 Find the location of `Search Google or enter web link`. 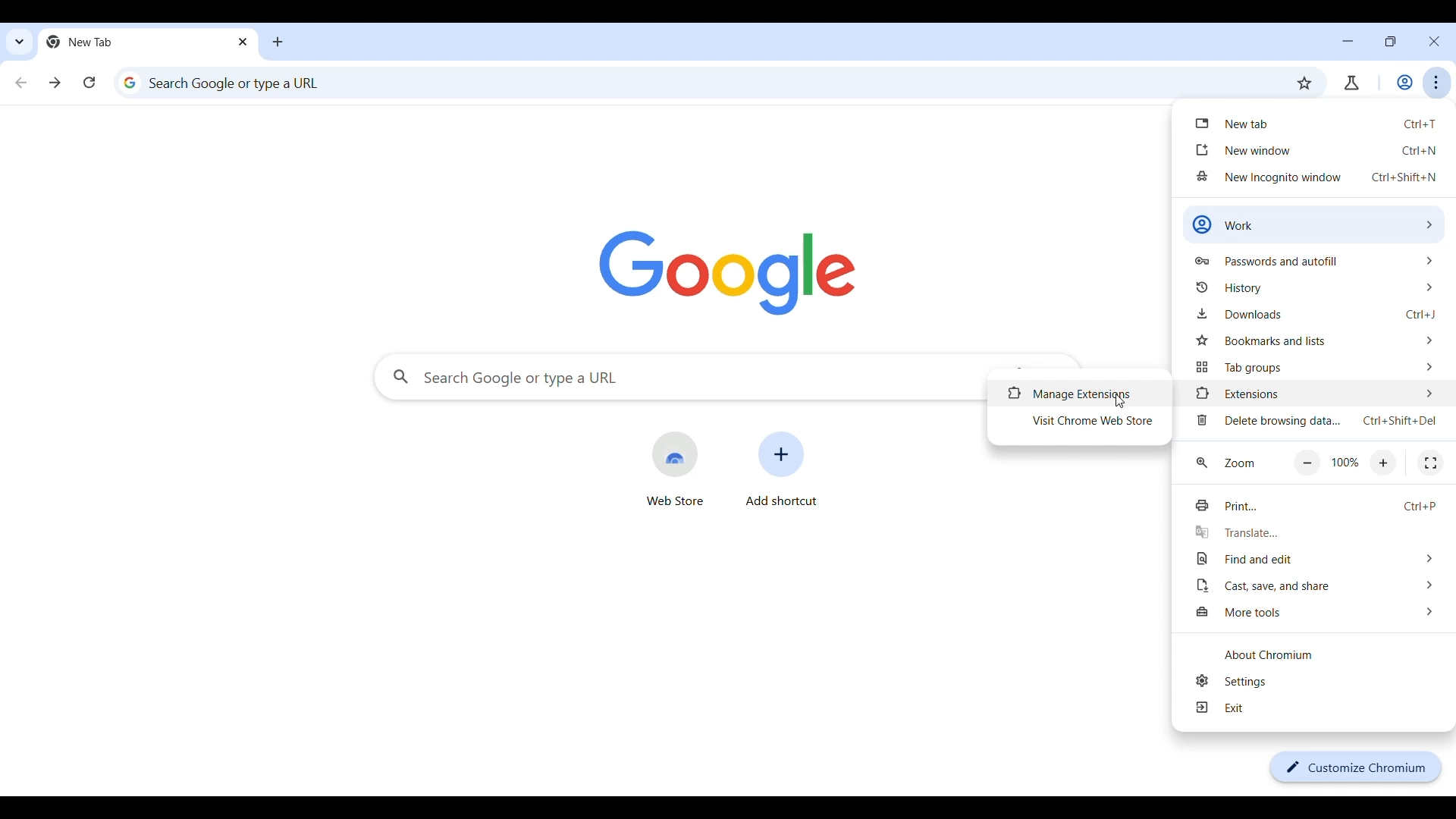

Search Google or enter web link is located at coordinates (679, 377).